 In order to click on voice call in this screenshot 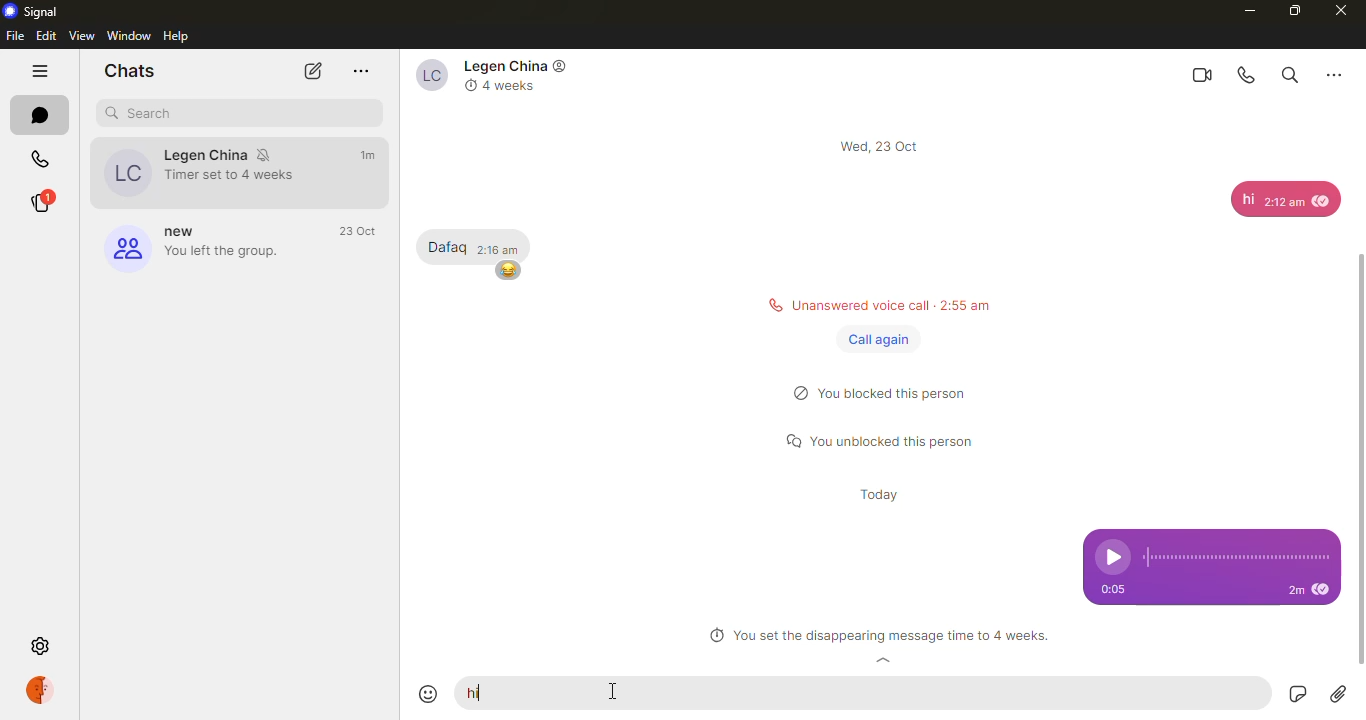, I will do `click(1248, 75)`.